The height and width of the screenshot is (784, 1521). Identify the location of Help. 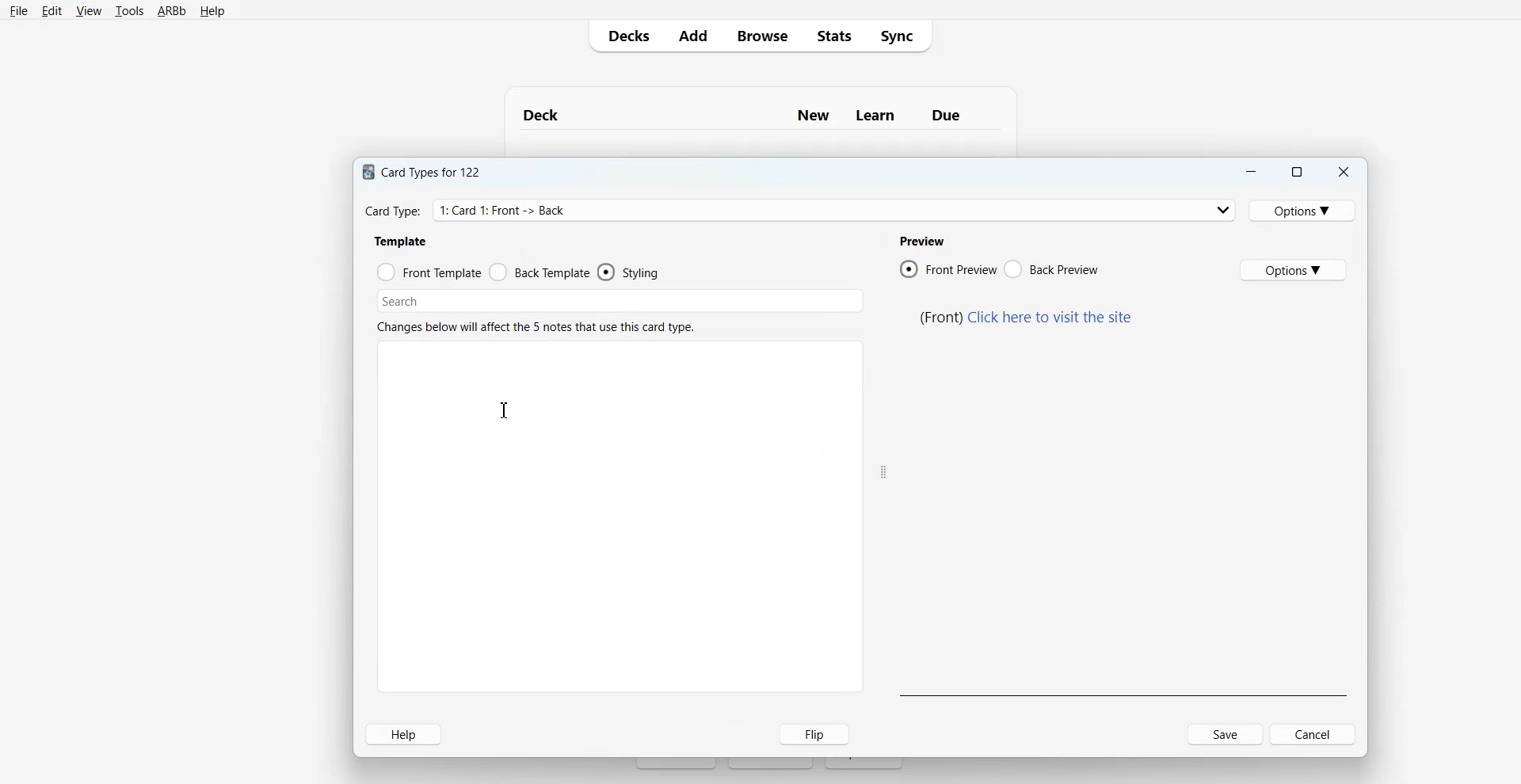
(212, 12).